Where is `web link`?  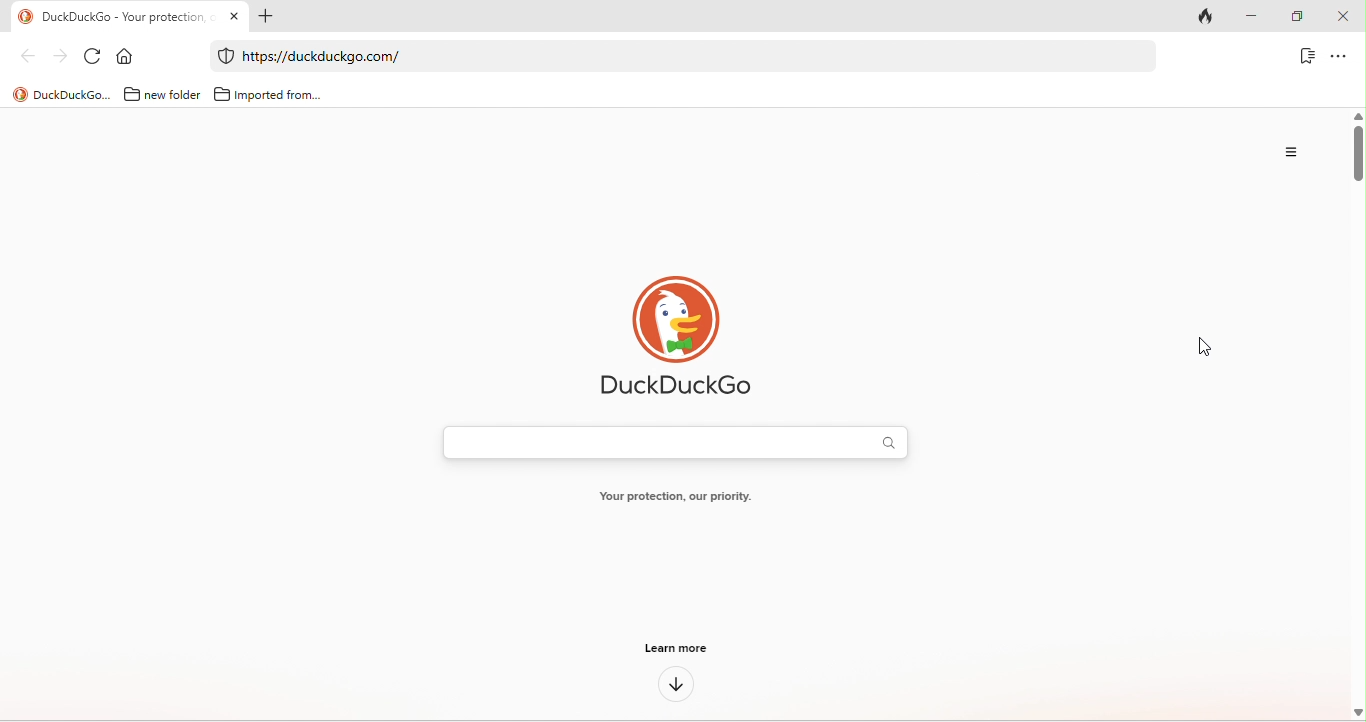
web link is located at coordinates (672, 56).